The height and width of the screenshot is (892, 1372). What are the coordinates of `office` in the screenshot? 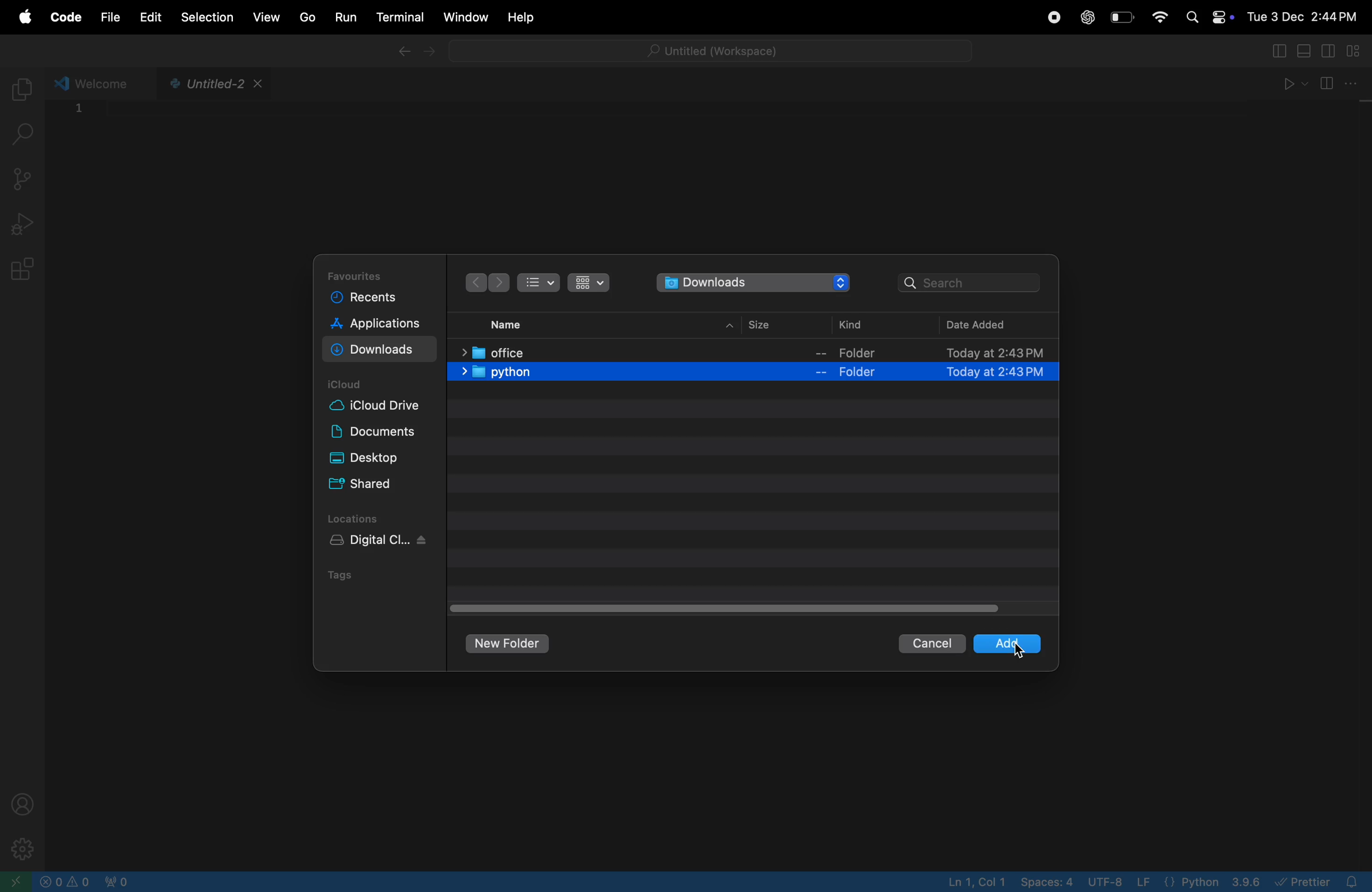 It's located at (499, 352).